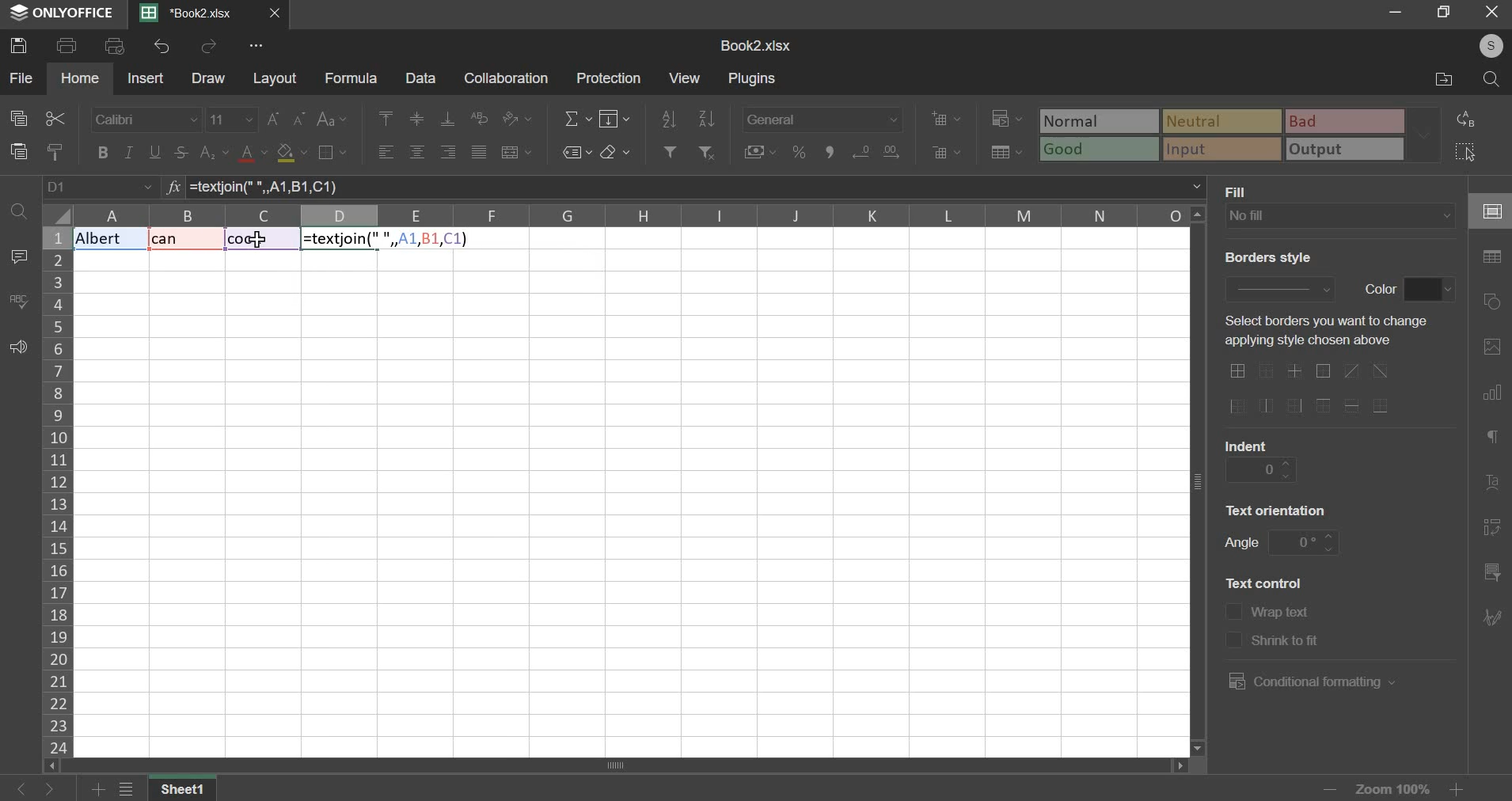 This screenshot has height=801, width=1512. What do you see at coordinates (1278, 509) in the screenshot?
I see `text` at bounding box center [1278, 509].